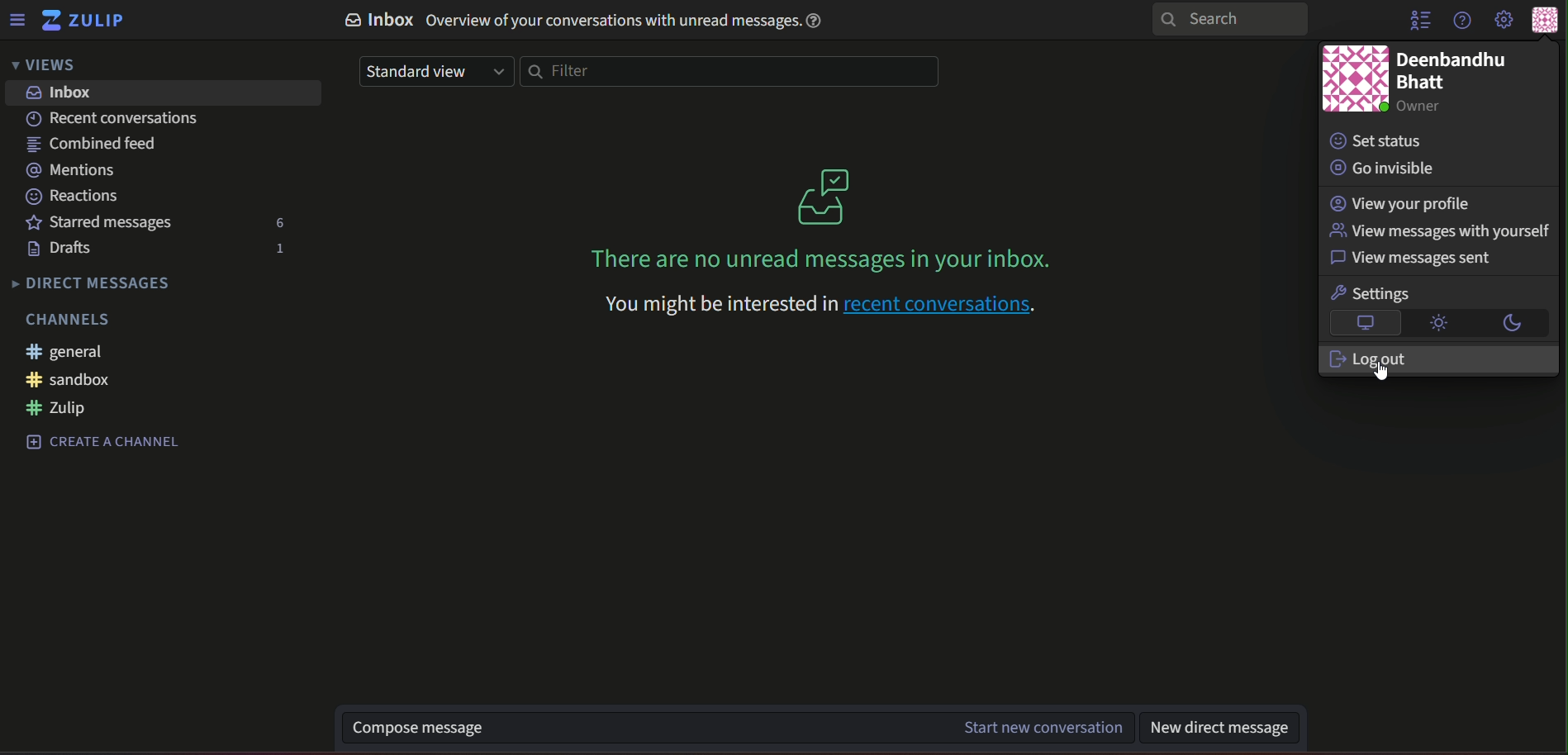 The width and height of the screenshot is (1568, 755). Describe the element at coordinates (1363, 322) in the screenshot. I see `logo` at that location.